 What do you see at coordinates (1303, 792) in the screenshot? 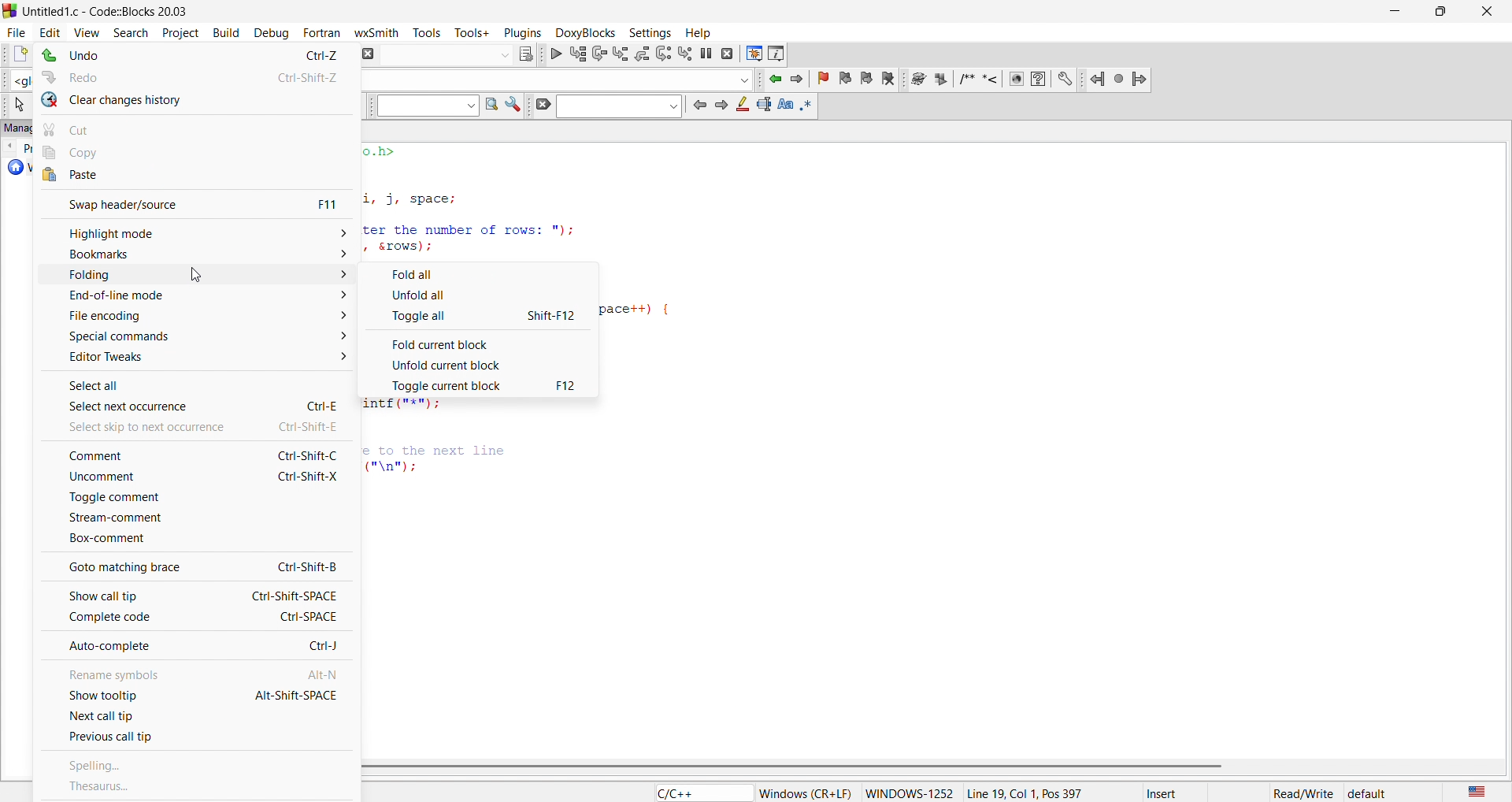
I see `Read/Write` at bounding box center [1303, 792].